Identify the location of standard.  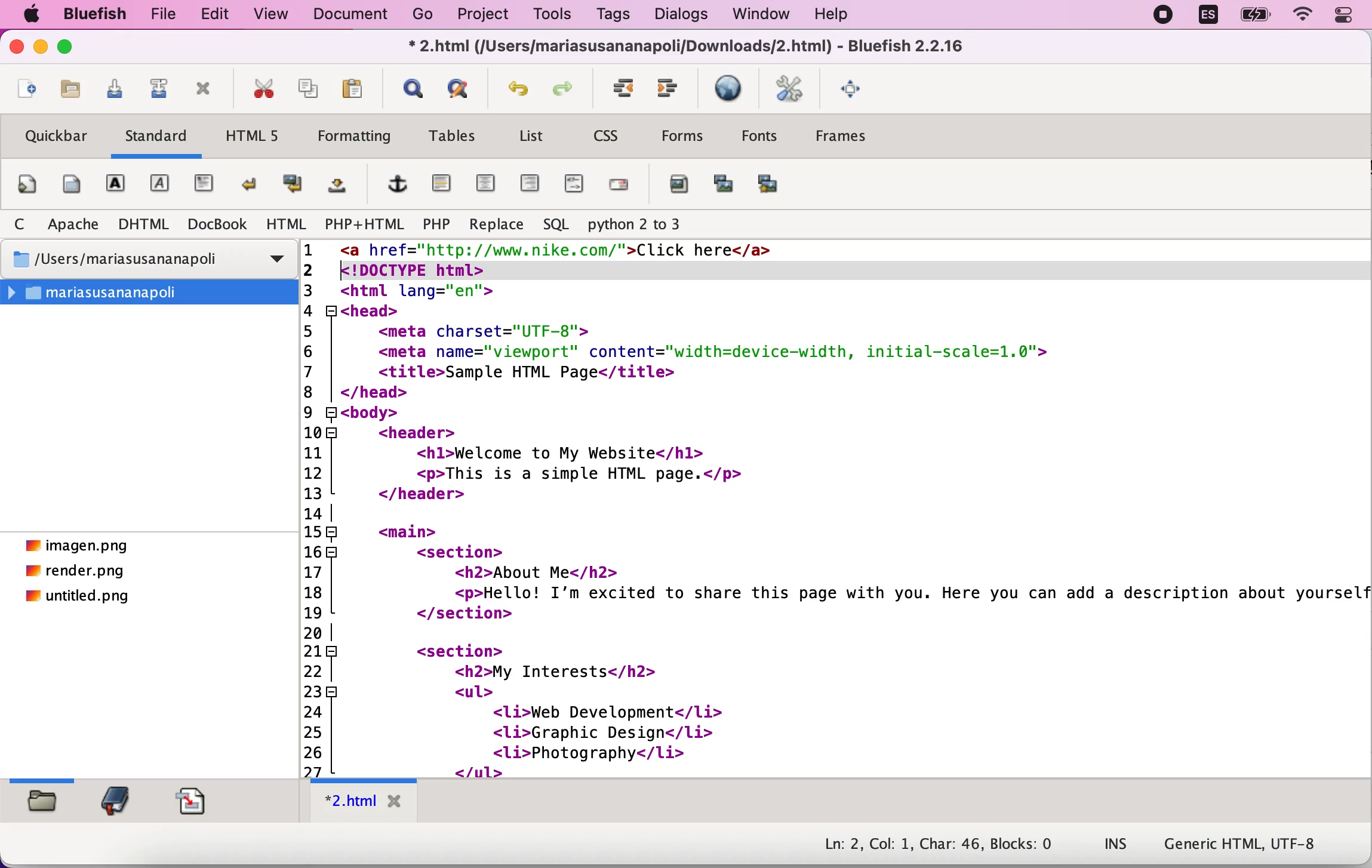
(161, 136).